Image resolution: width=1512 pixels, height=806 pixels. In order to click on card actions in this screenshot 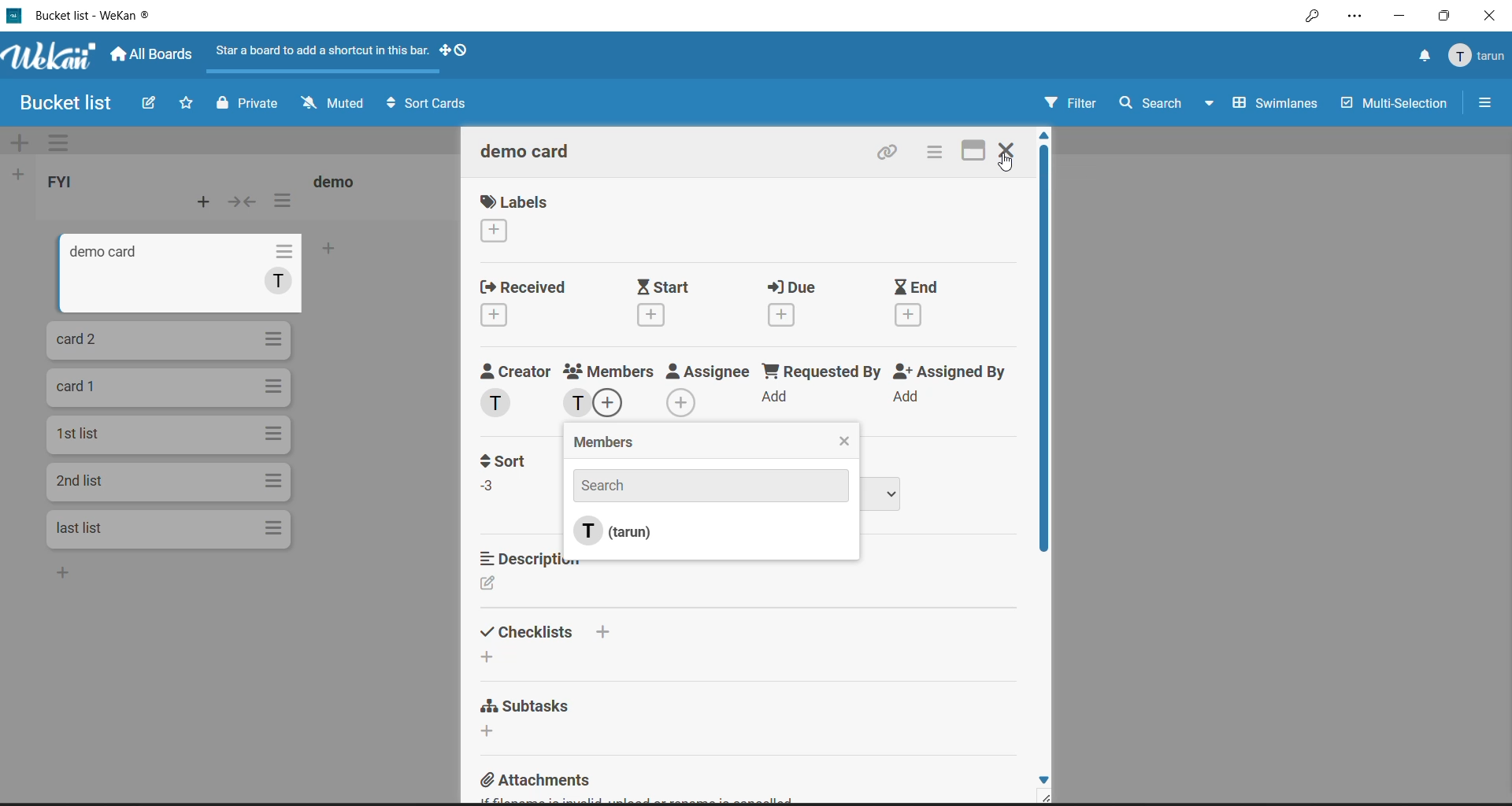, I will do `click(275, 385)`.